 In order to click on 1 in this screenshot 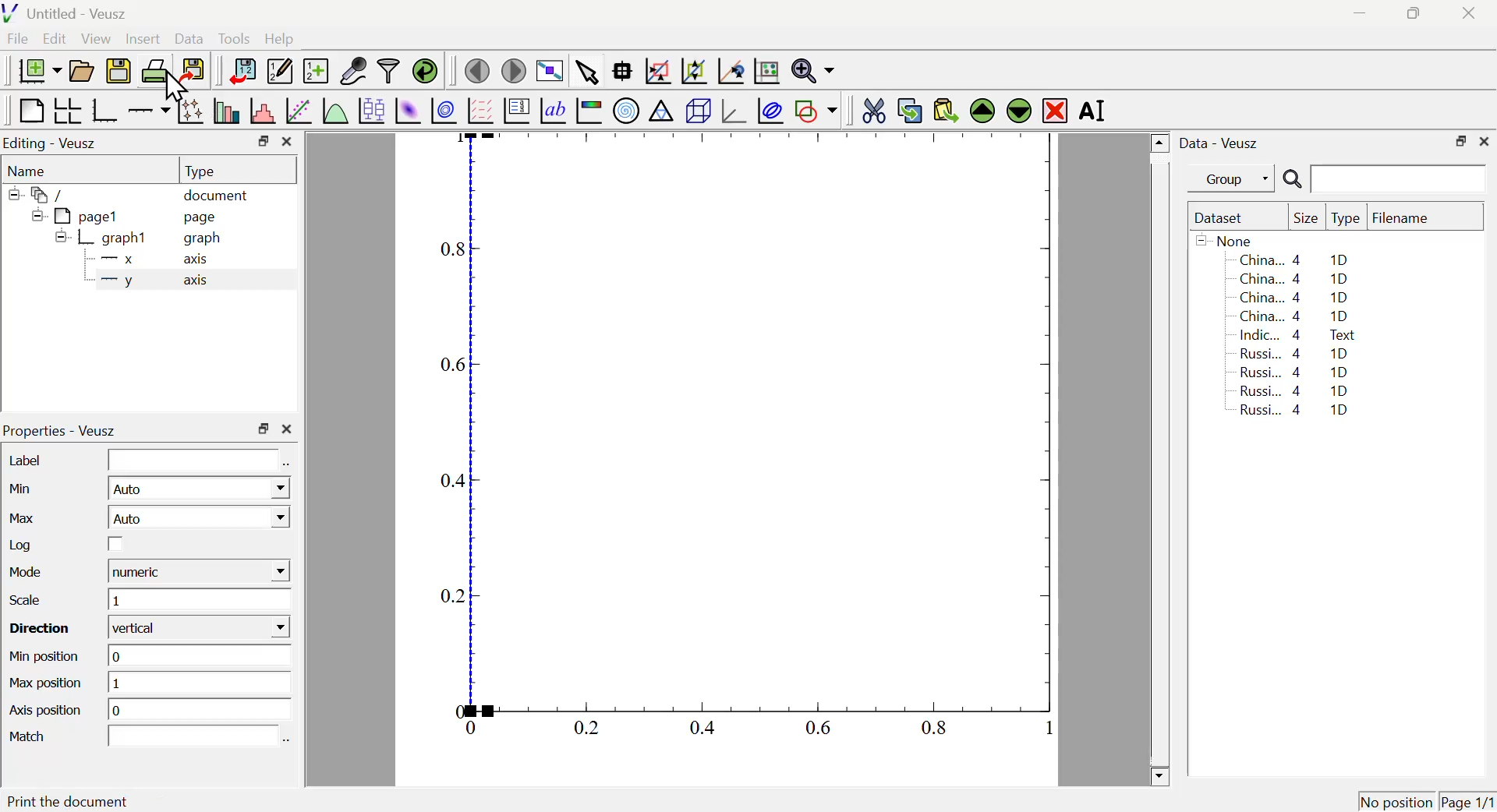, I will do `click(199, 600)`.